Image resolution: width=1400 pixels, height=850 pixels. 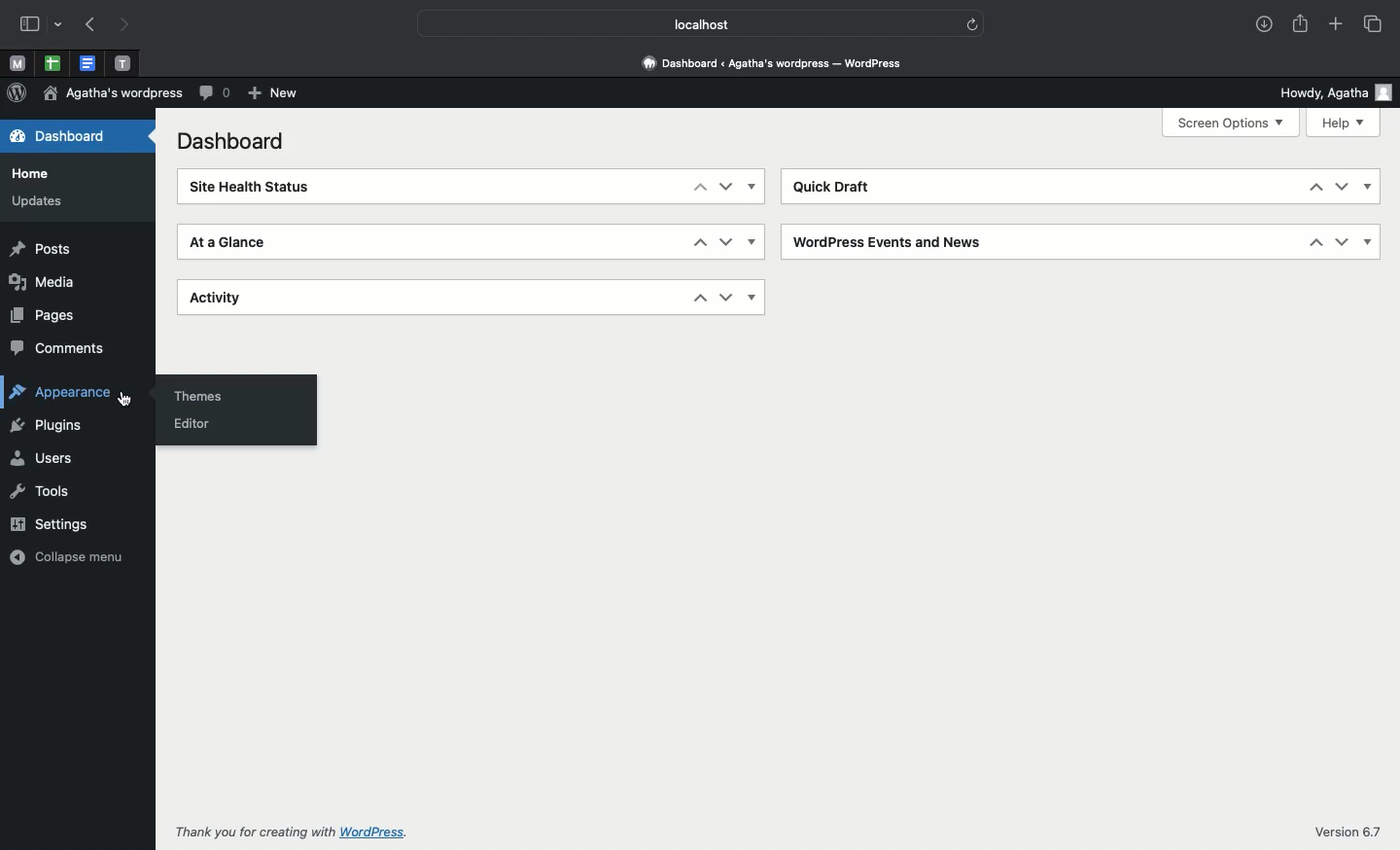 What do you see at coordinates (1333, 90) in the screenshot?
I see `Howdy user` at bounding box center [1333, 90].